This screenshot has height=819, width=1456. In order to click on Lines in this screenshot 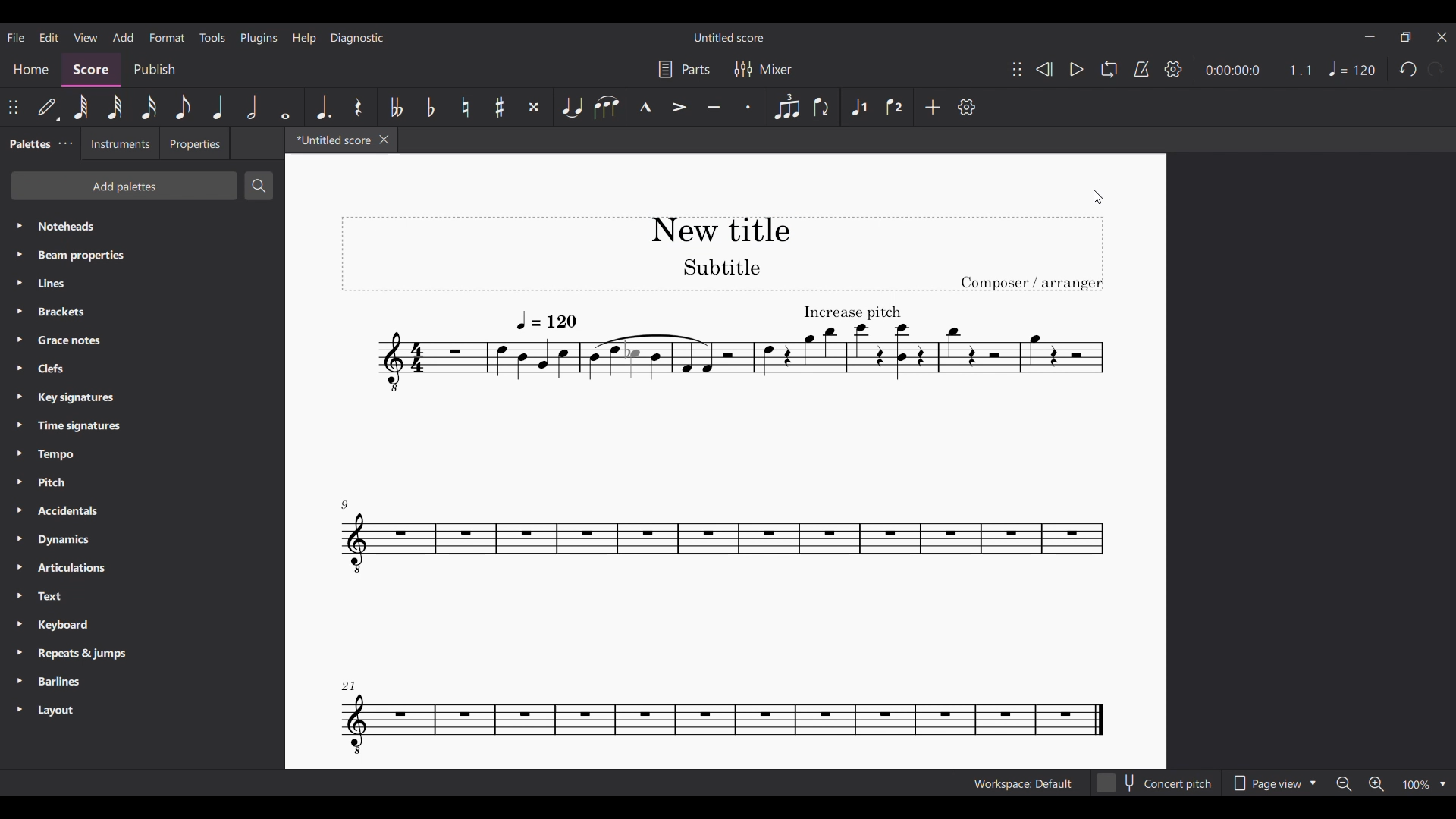, I will do `click(143, 283)`.